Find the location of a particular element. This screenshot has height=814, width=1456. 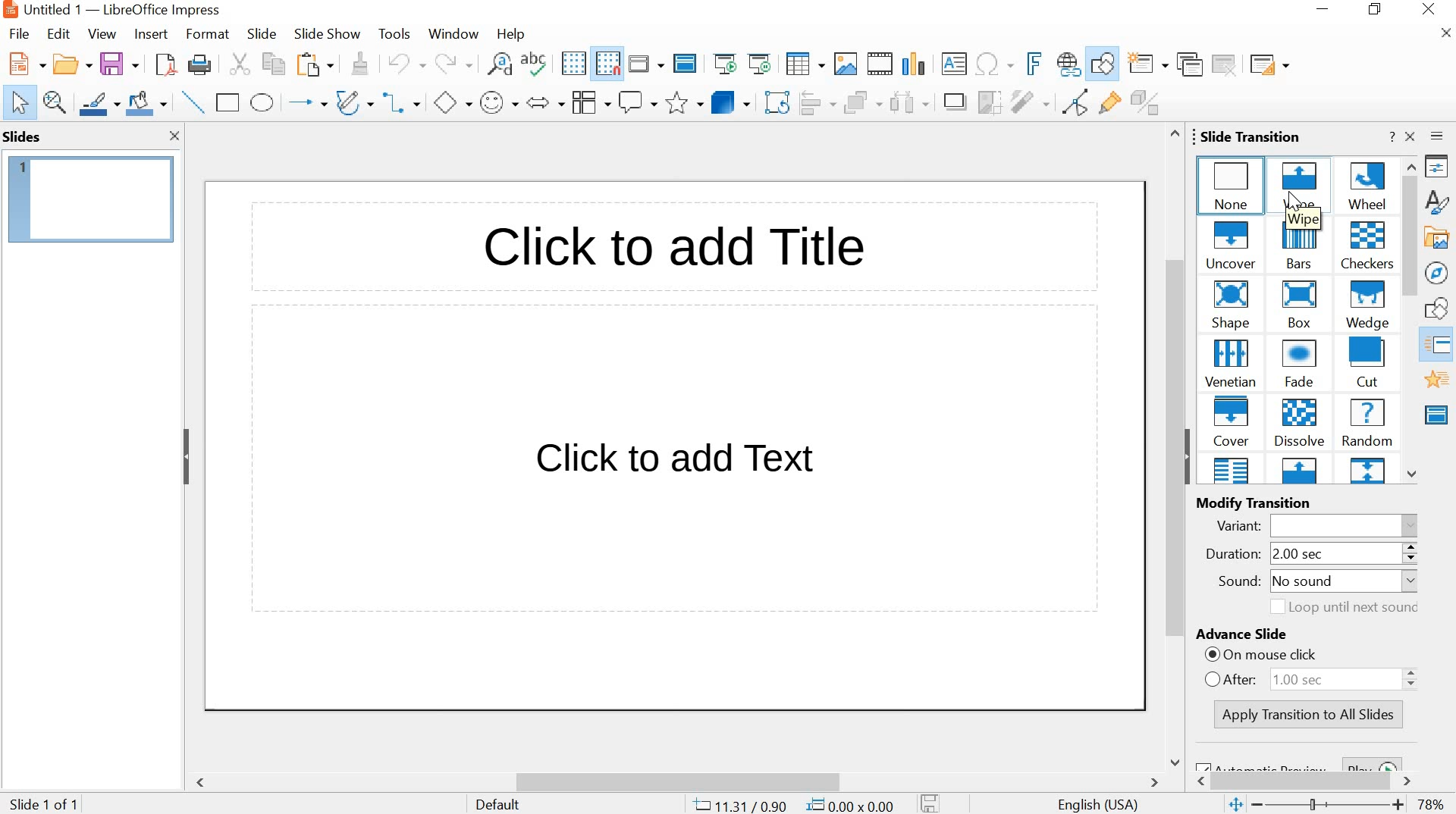

AFTER is located at coordinates (1316, 678).